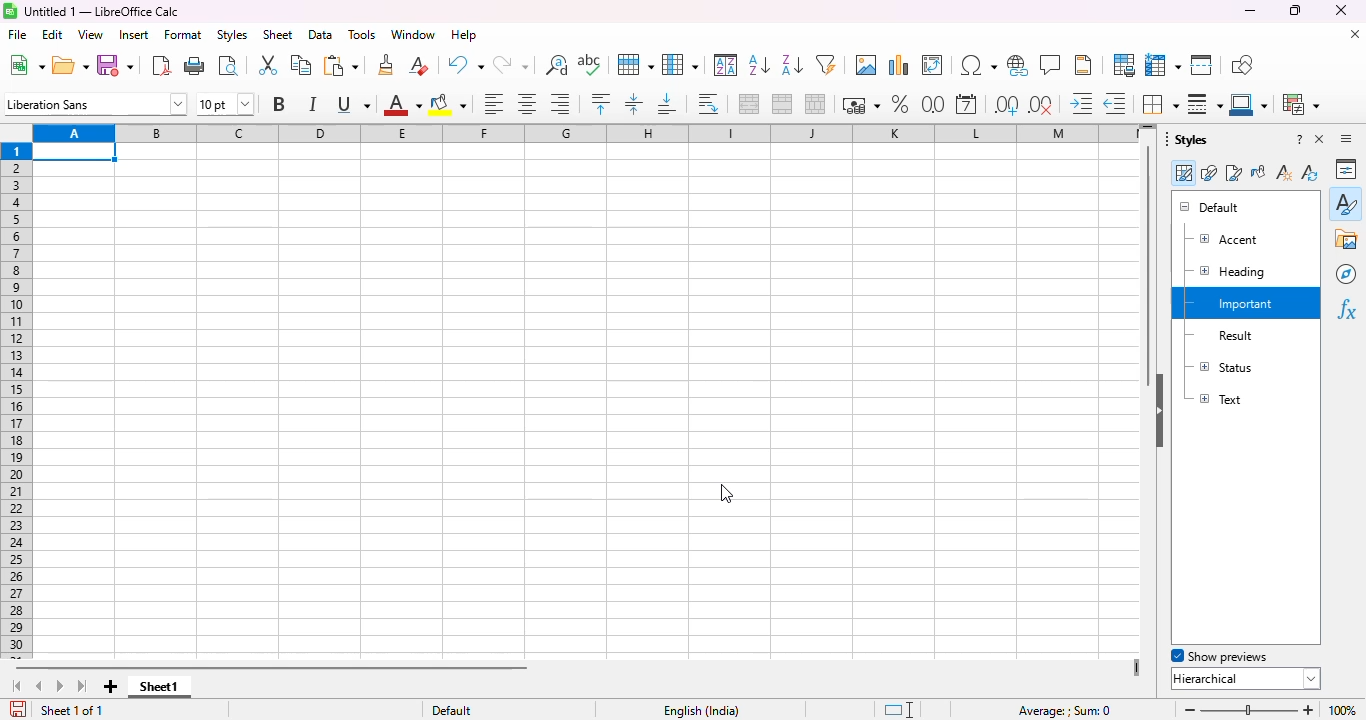 This screenshot has height=720, width=1366. Describe the element at coordinates (15, 687) in the screenshot. I see `scroll to first sheet` at that location.